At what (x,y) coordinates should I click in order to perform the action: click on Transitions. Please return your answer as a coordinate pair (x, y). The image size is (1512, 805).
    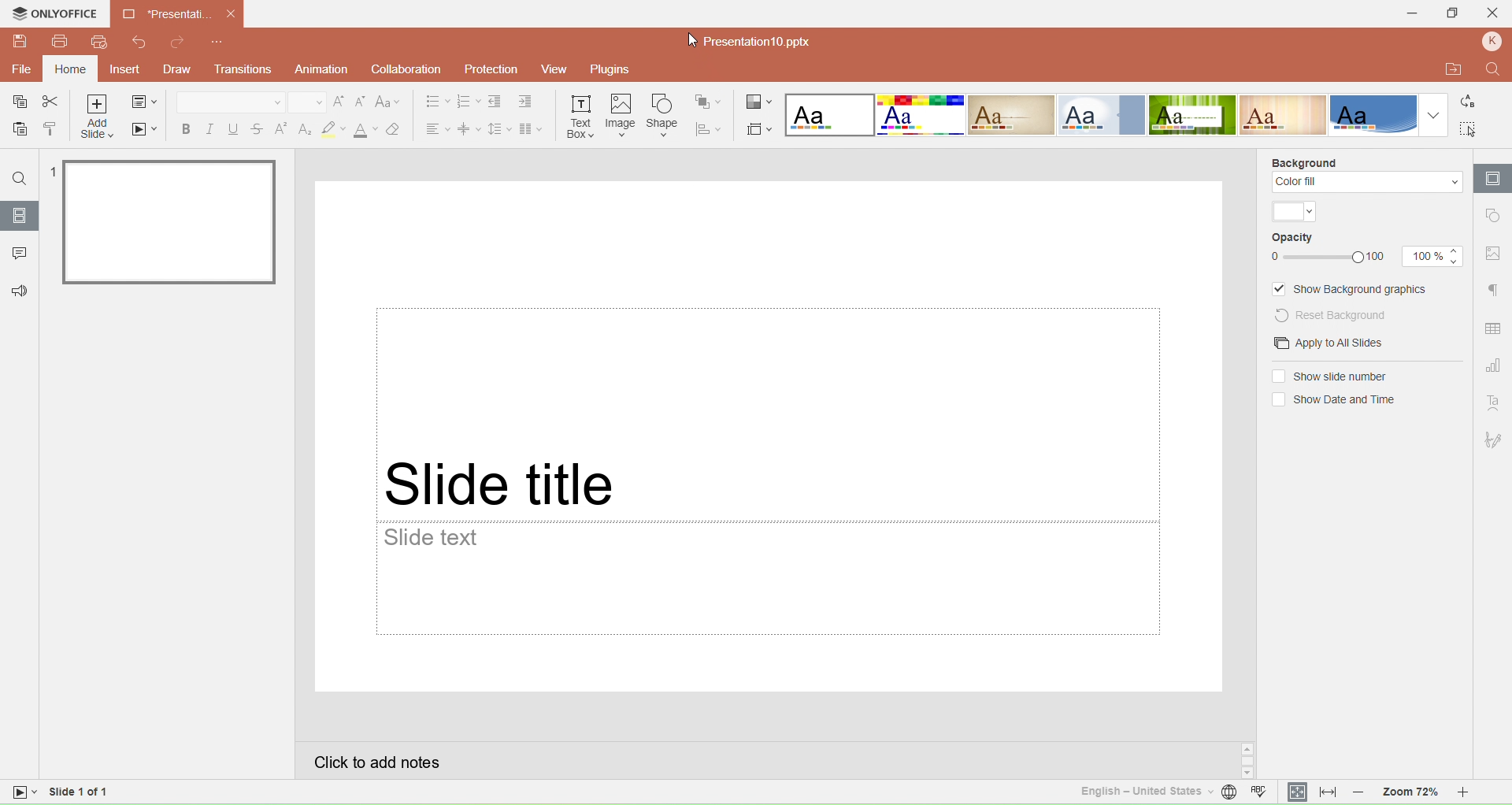
    Looking at the image, I should click on (246, 70).